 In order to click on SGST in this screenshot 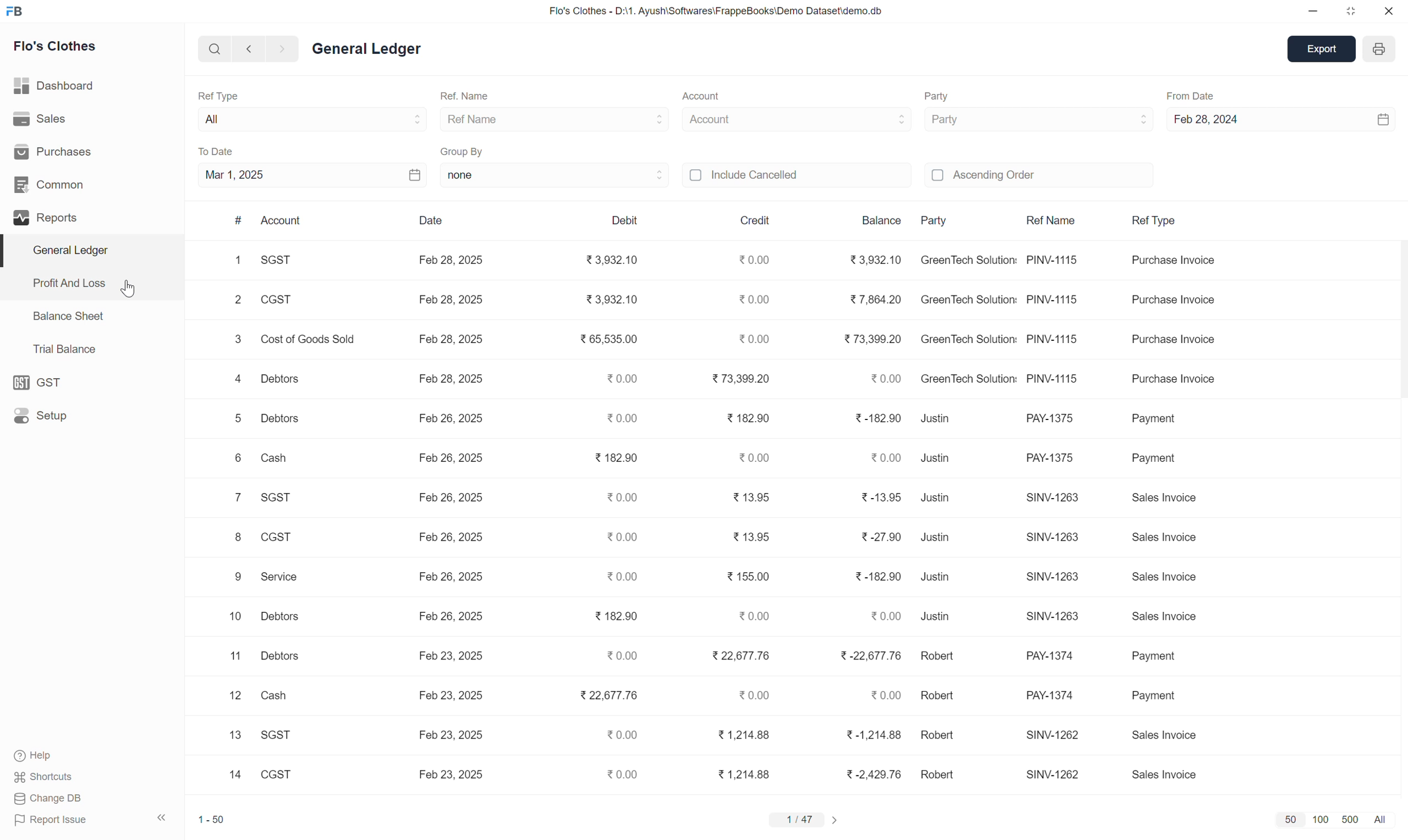, I will do `click(273, 260)`.